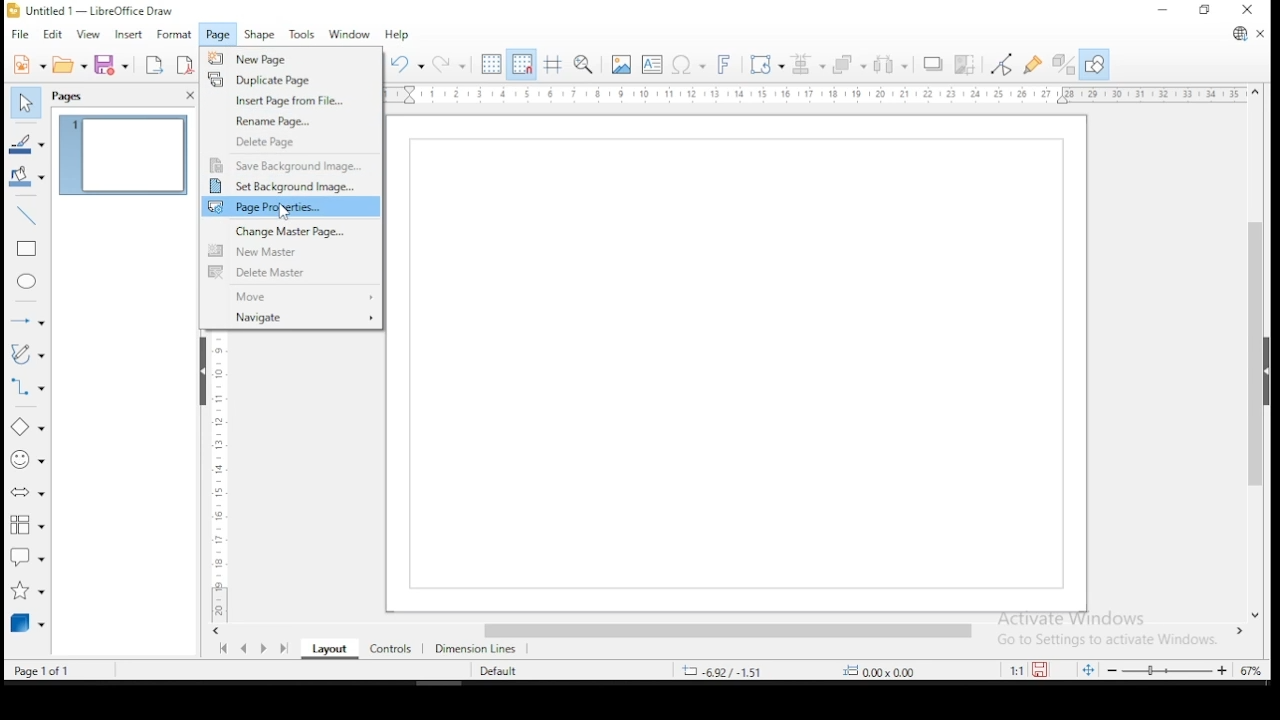 Image resolution: width=1280 pixels, height=720 pixels. Describe the element at coordinates (449, 64) in the screenshot. I see `redo` at that location.